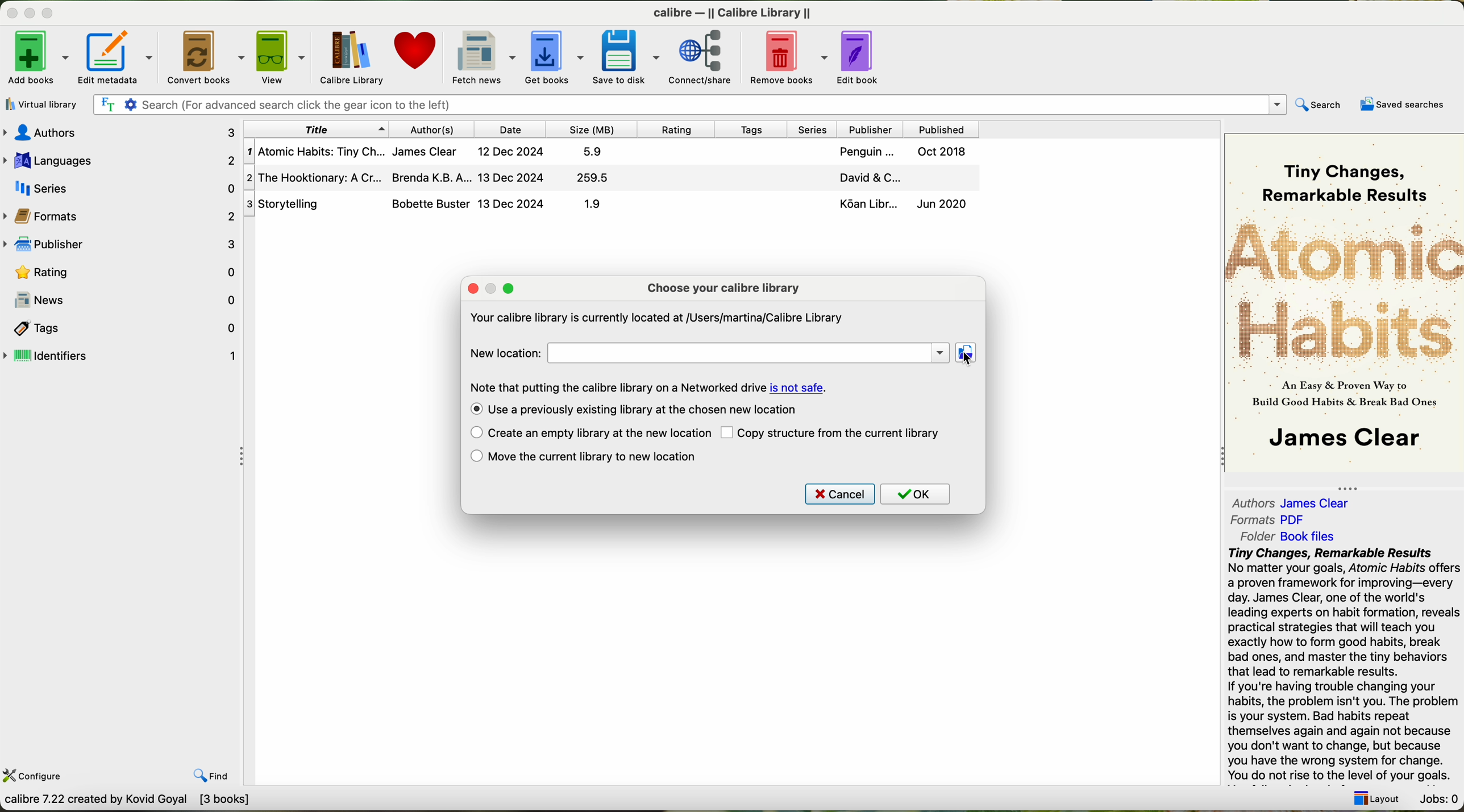  Describe the element at coordinates (36, 56) in the screenshot. I see `add books` at that location.